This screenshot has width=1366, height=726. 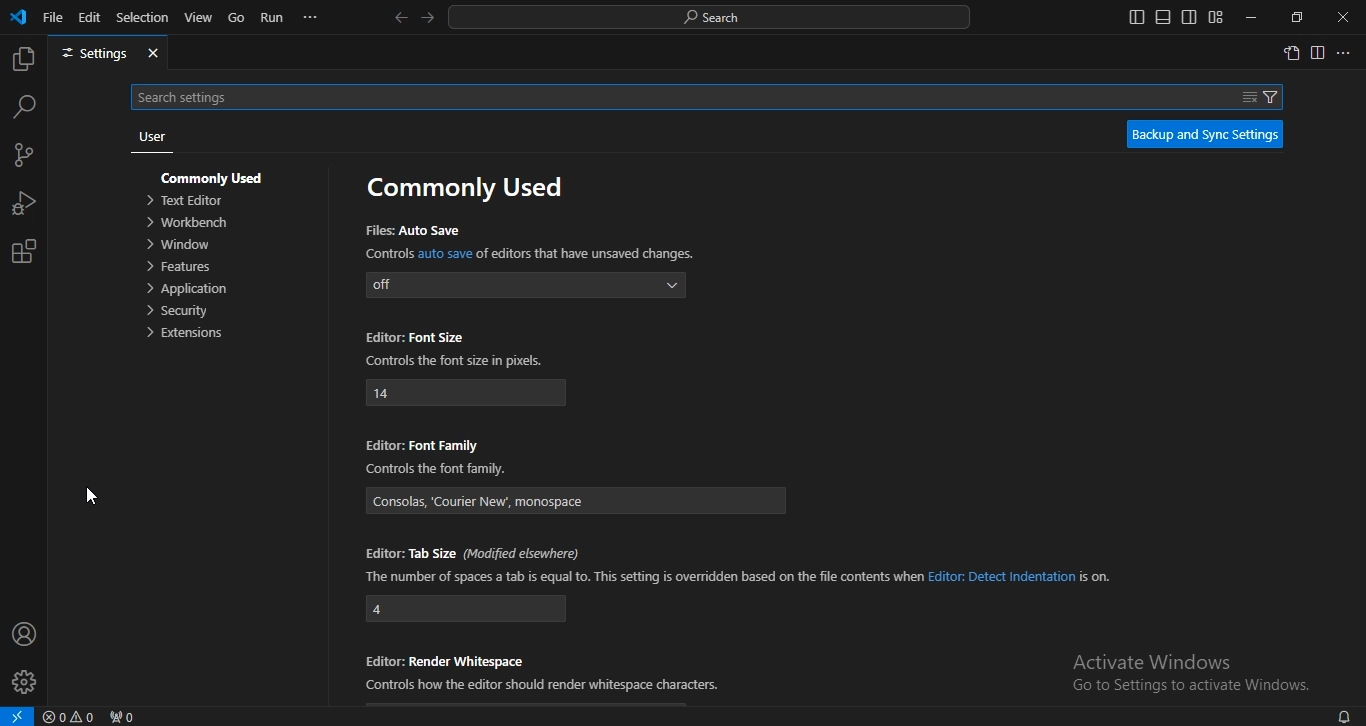 What do you see at coordinates (1215, 17) in the screenshot?
I see `customize layout` at bounding box center [1215, 17].